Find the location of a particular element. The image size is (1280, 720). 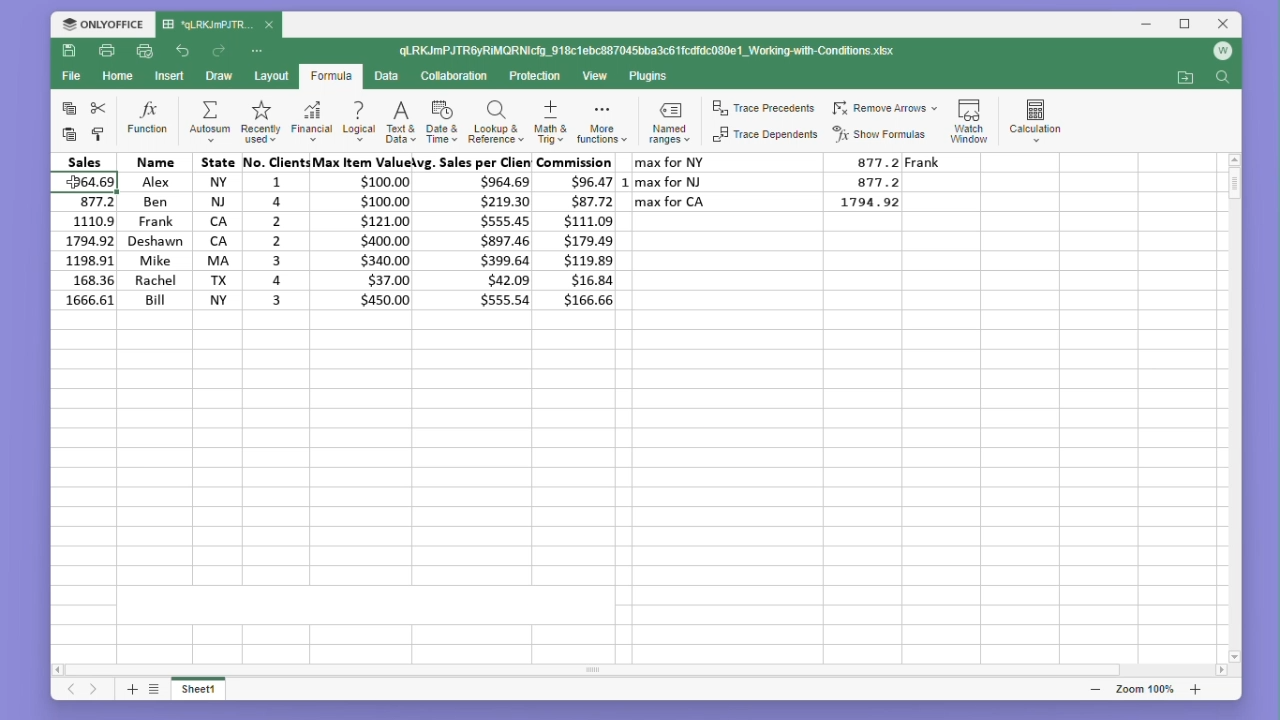

Maths and trigonometry is located at coordinates (551, 119).